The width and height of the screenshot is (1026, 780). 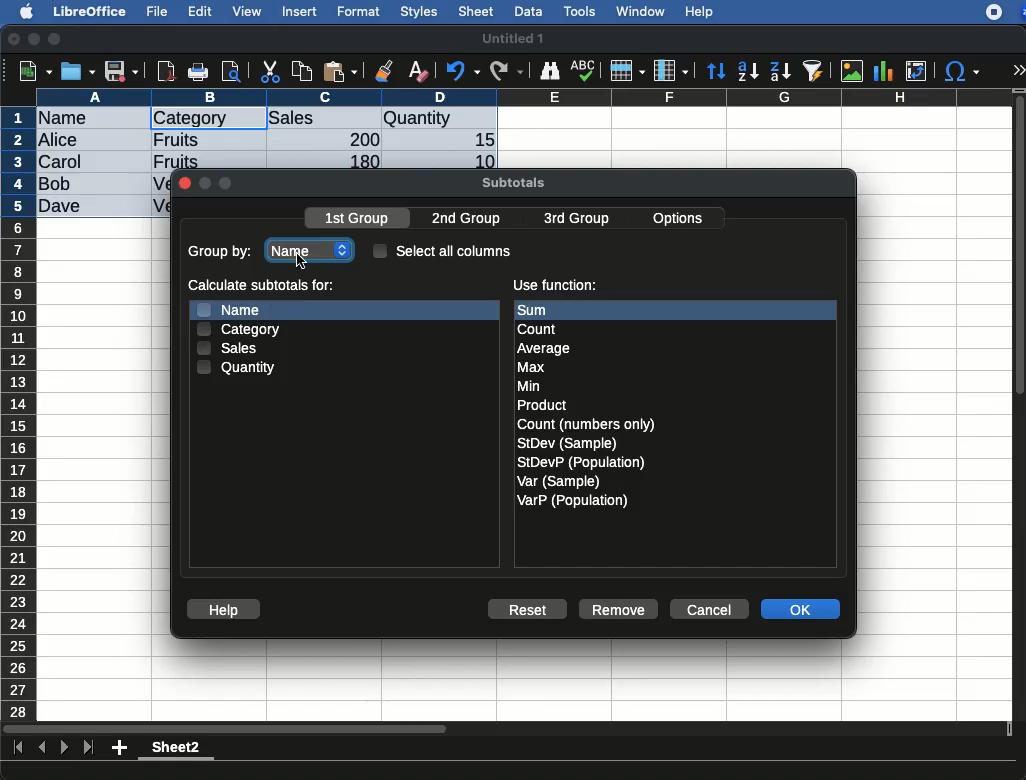 I want to click on name, so click(x=235, y=308).